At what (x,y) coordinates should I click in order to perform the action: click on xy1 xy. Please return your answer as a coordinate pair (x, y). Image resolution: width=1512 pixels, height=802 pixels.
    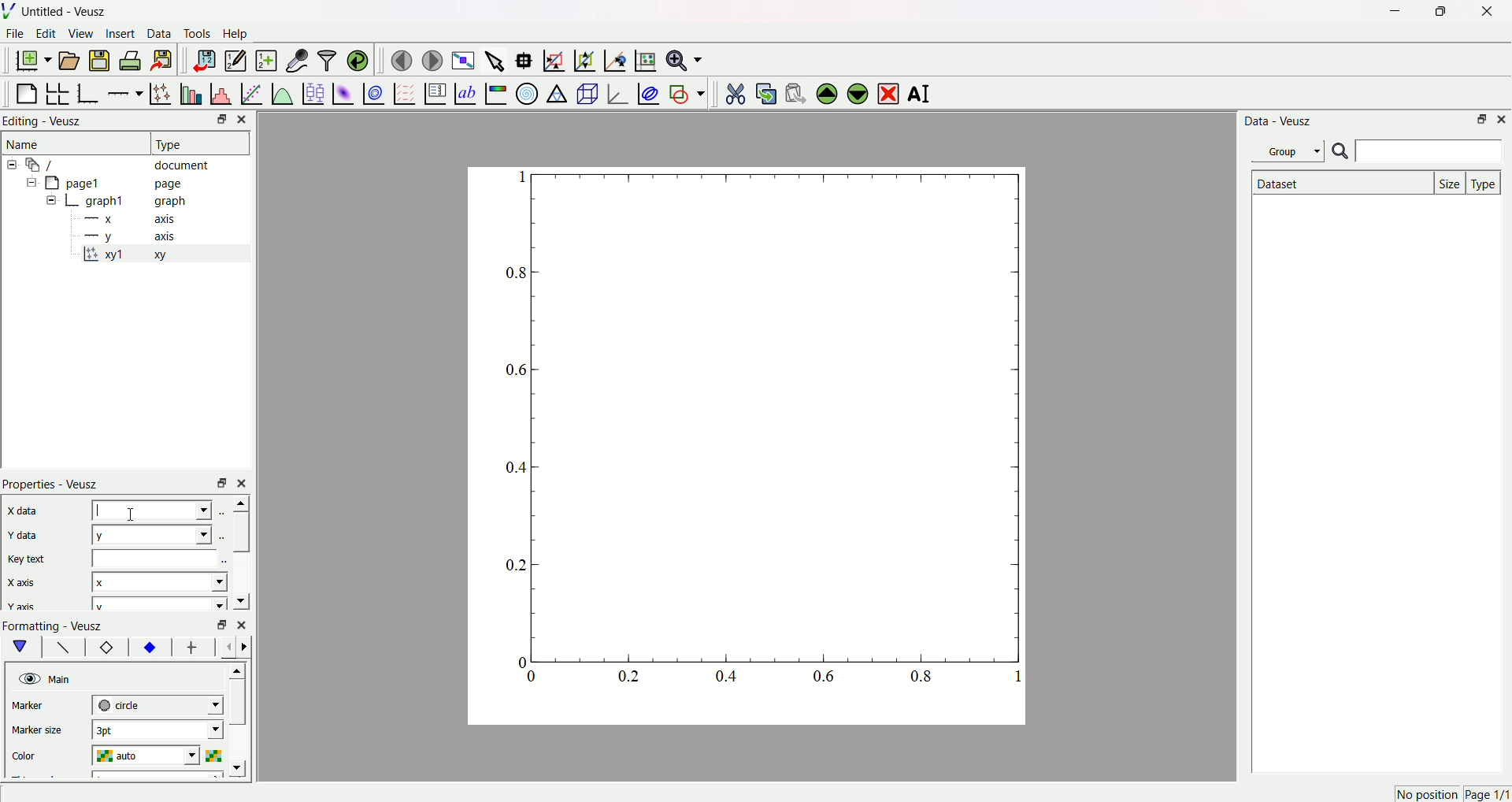
    Looking at the image, I should click on (135, 255).